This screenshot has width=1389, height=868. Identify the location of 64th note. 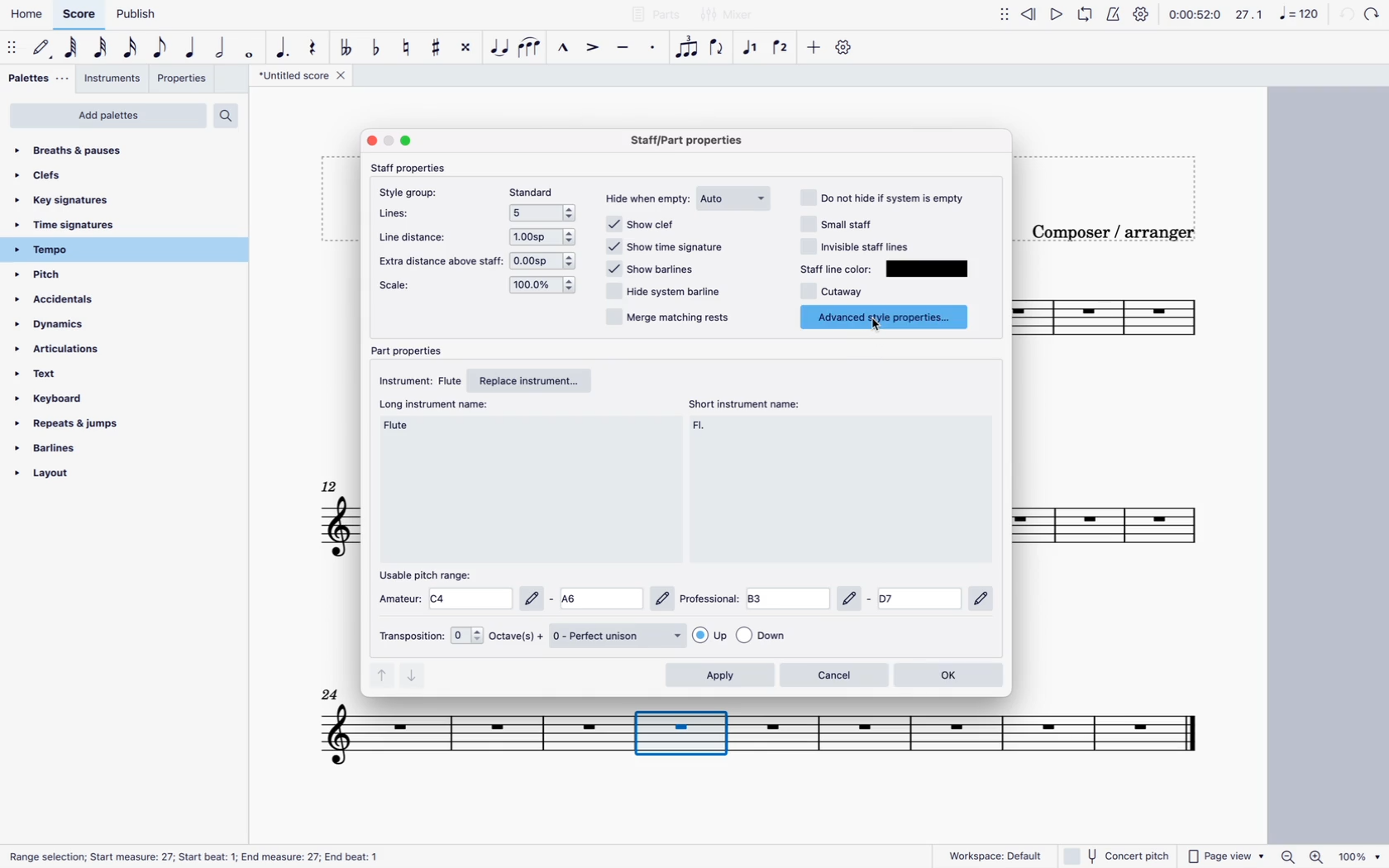
(73, 48).